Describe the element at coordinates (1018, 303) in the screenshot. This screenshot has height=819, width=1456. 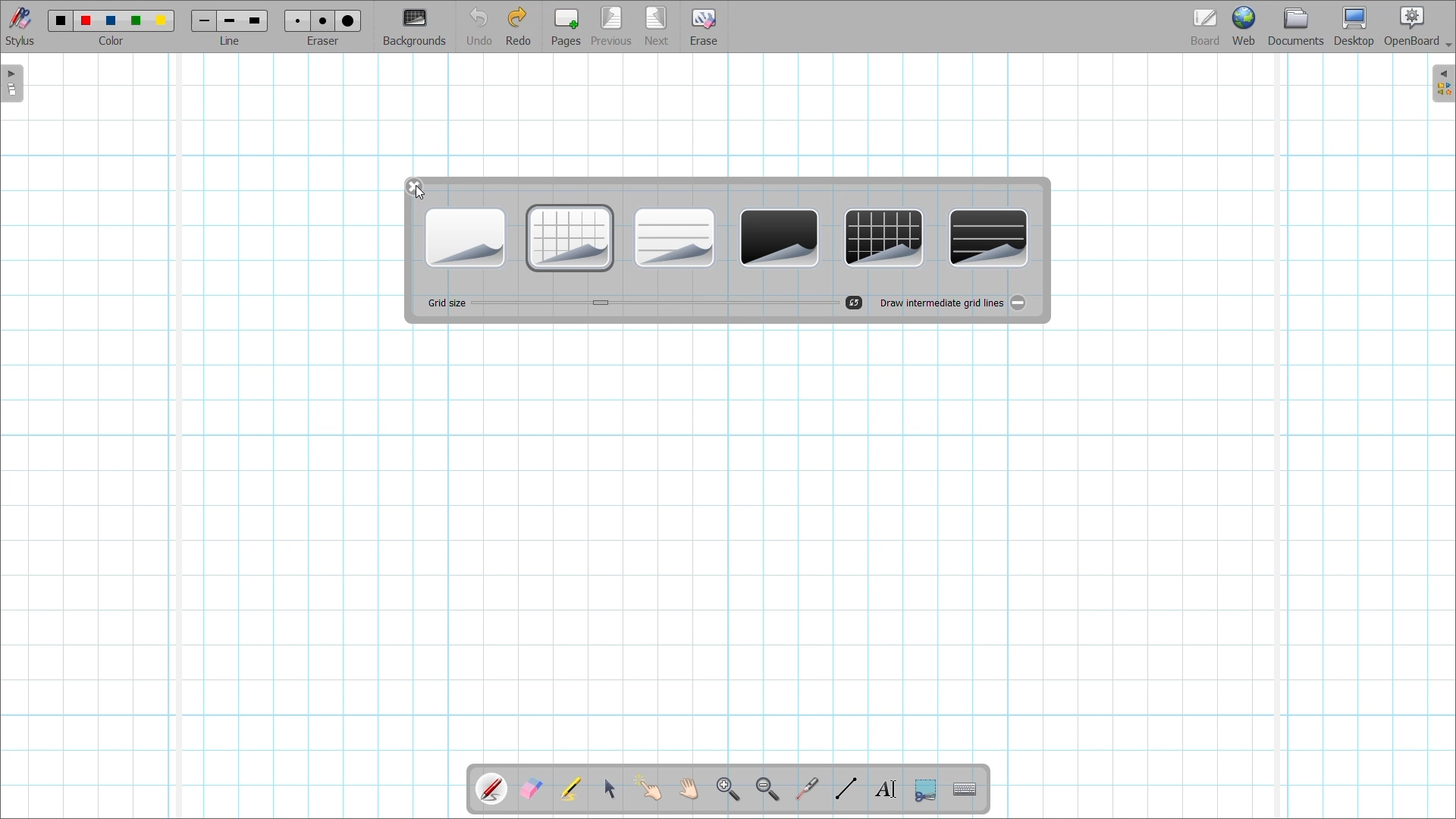
I see `Draw intermediate grid lines` at that location.